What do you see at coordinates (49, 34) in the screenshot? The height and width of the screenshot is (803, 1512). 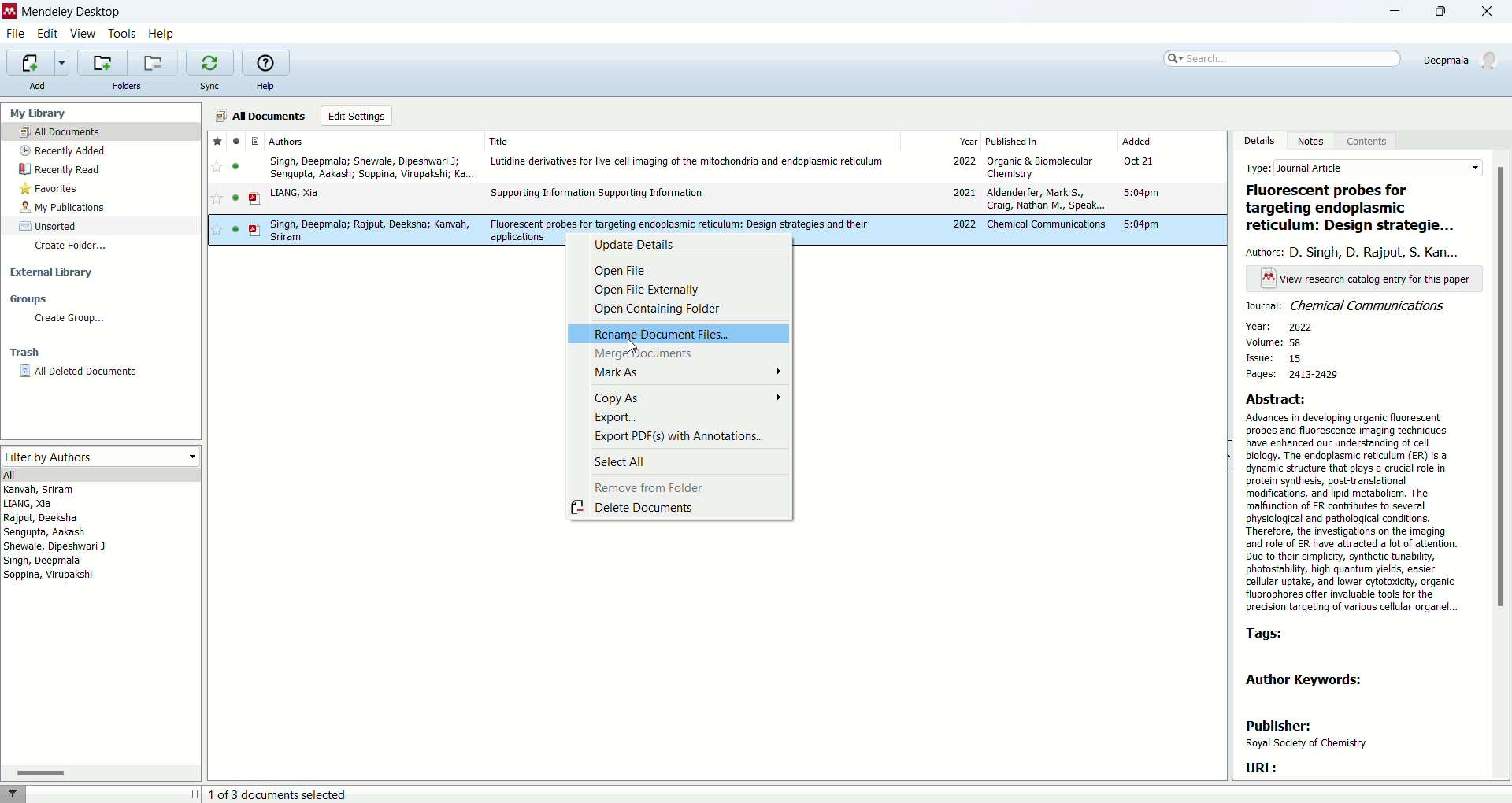 I see `edit` at bounding box center [49, 34].